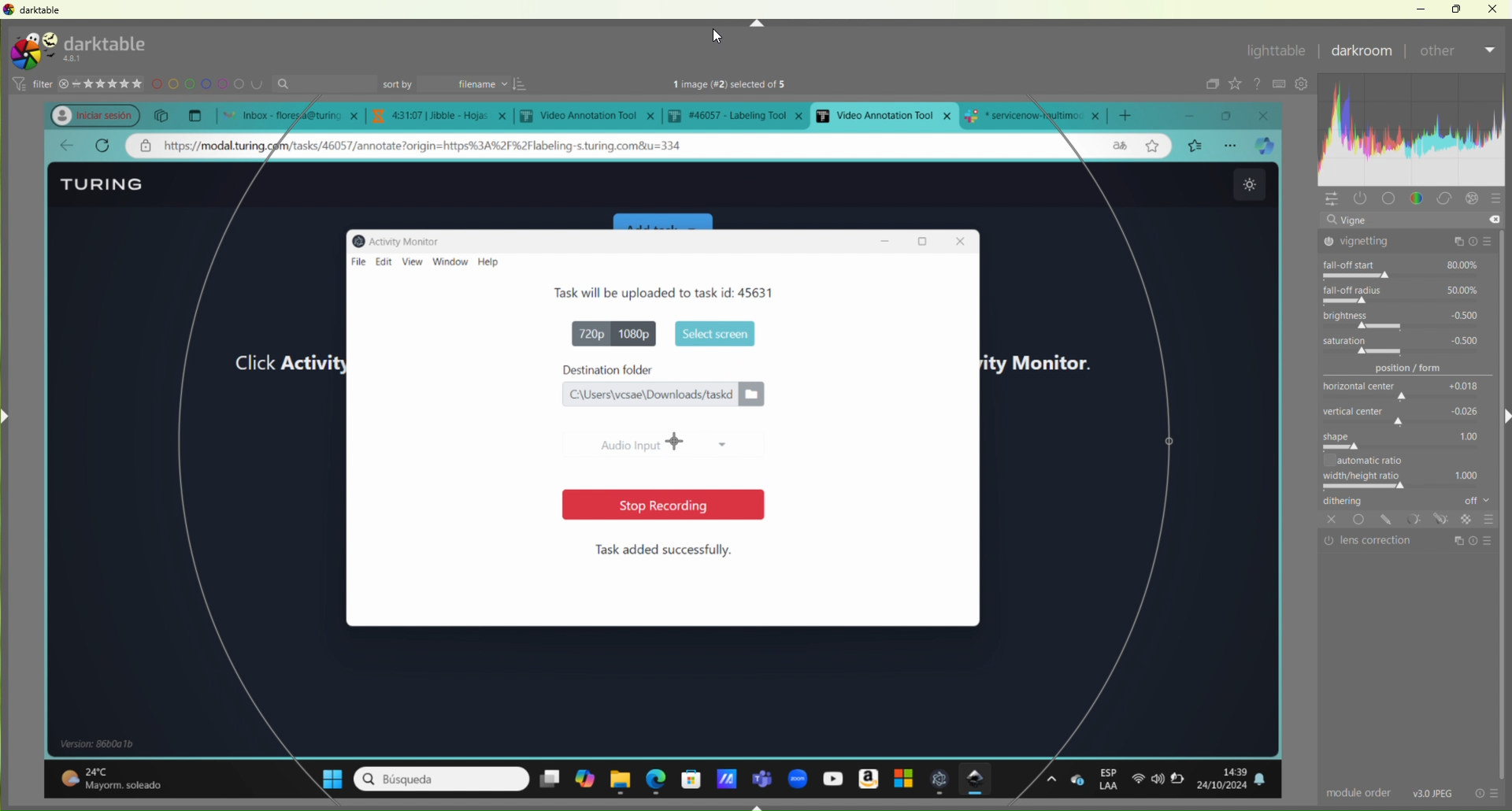 Image resolution: width=1512 pixels, height=811 pixels. What do you see at coordinates (900, 780) in the screenshot?
I see `windows` at bounding box center [900, 780].